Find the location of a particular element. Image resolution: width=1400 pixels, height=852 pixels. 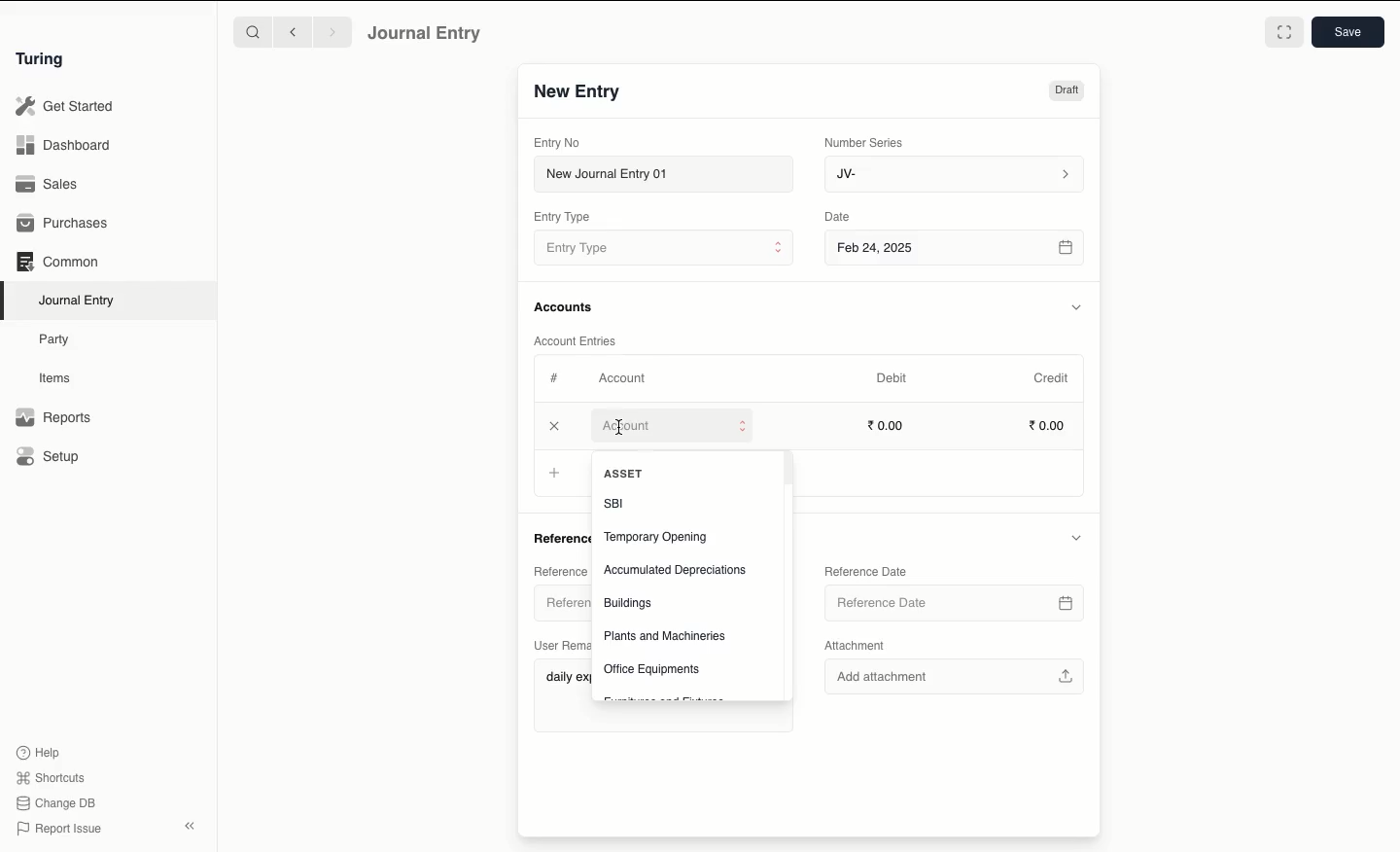

Credit is located at coordinates (1053, 378).